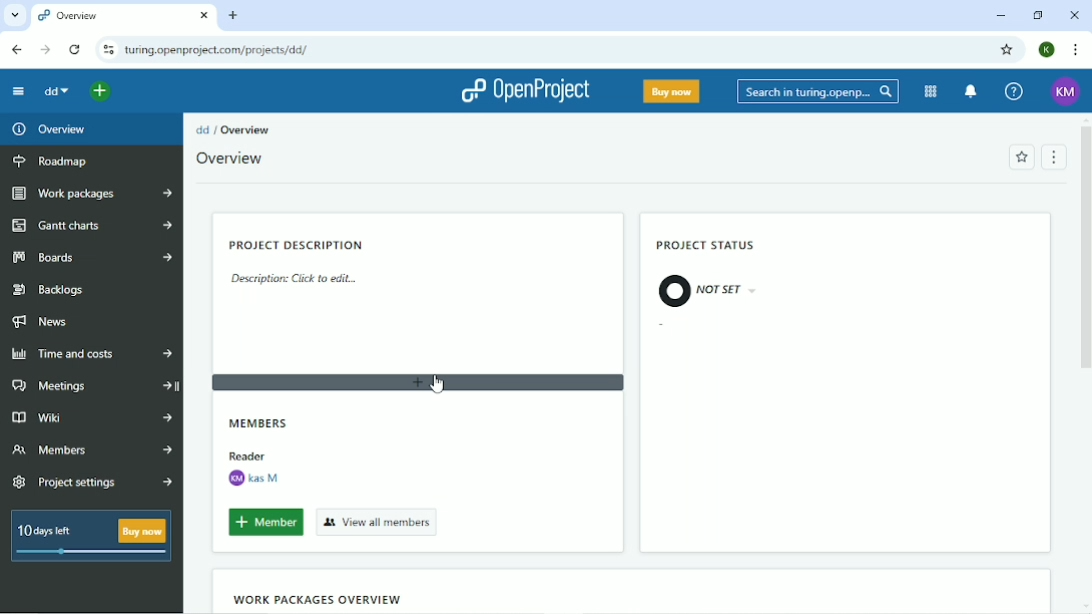  What do you see at coordinates (49, 128) in the screenshot?
I see `Overview` at bounding box center [49, 128].